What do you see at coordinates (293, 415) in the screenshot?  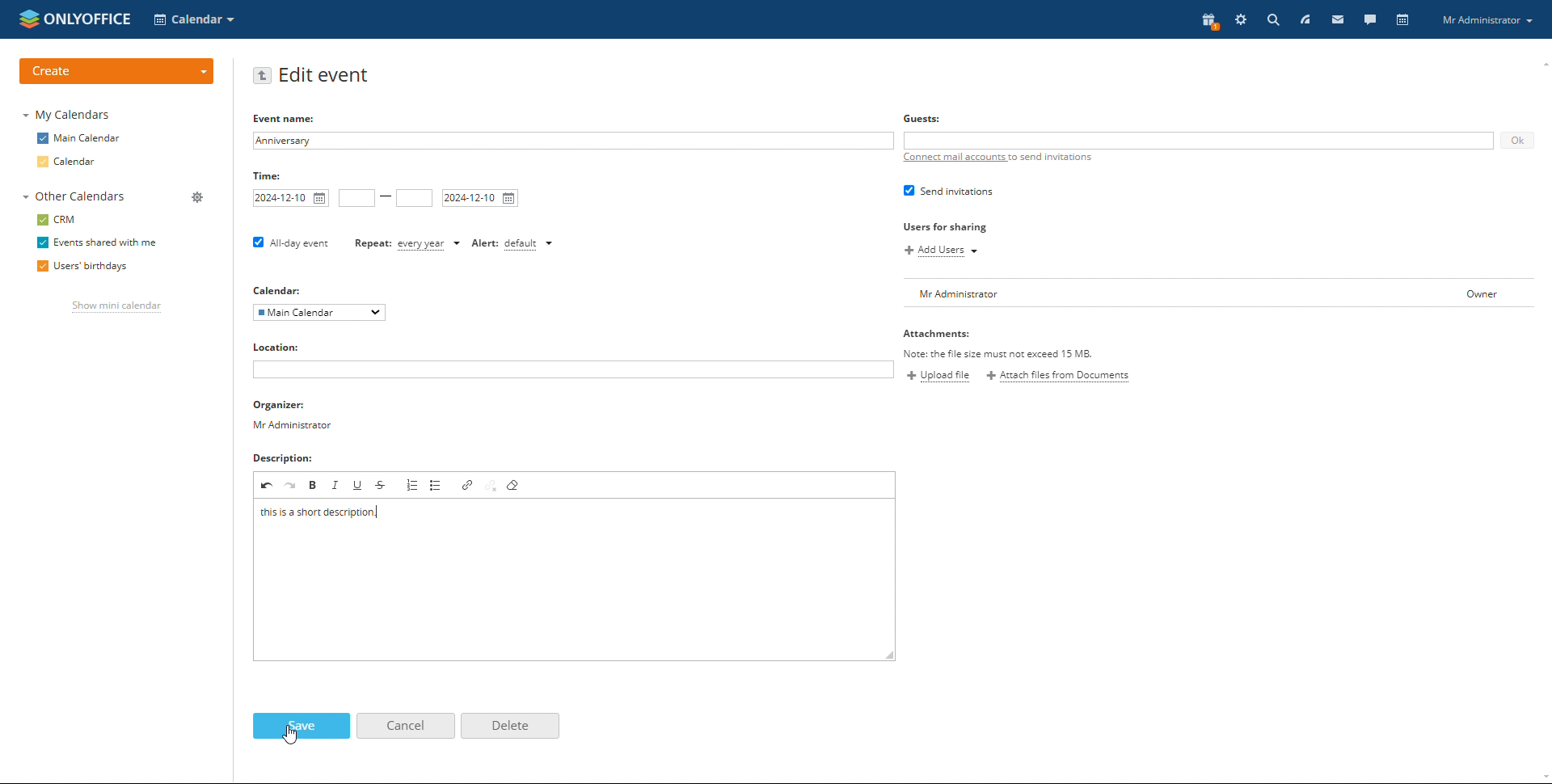 I see `organizer` at bounding box center [293, 415].